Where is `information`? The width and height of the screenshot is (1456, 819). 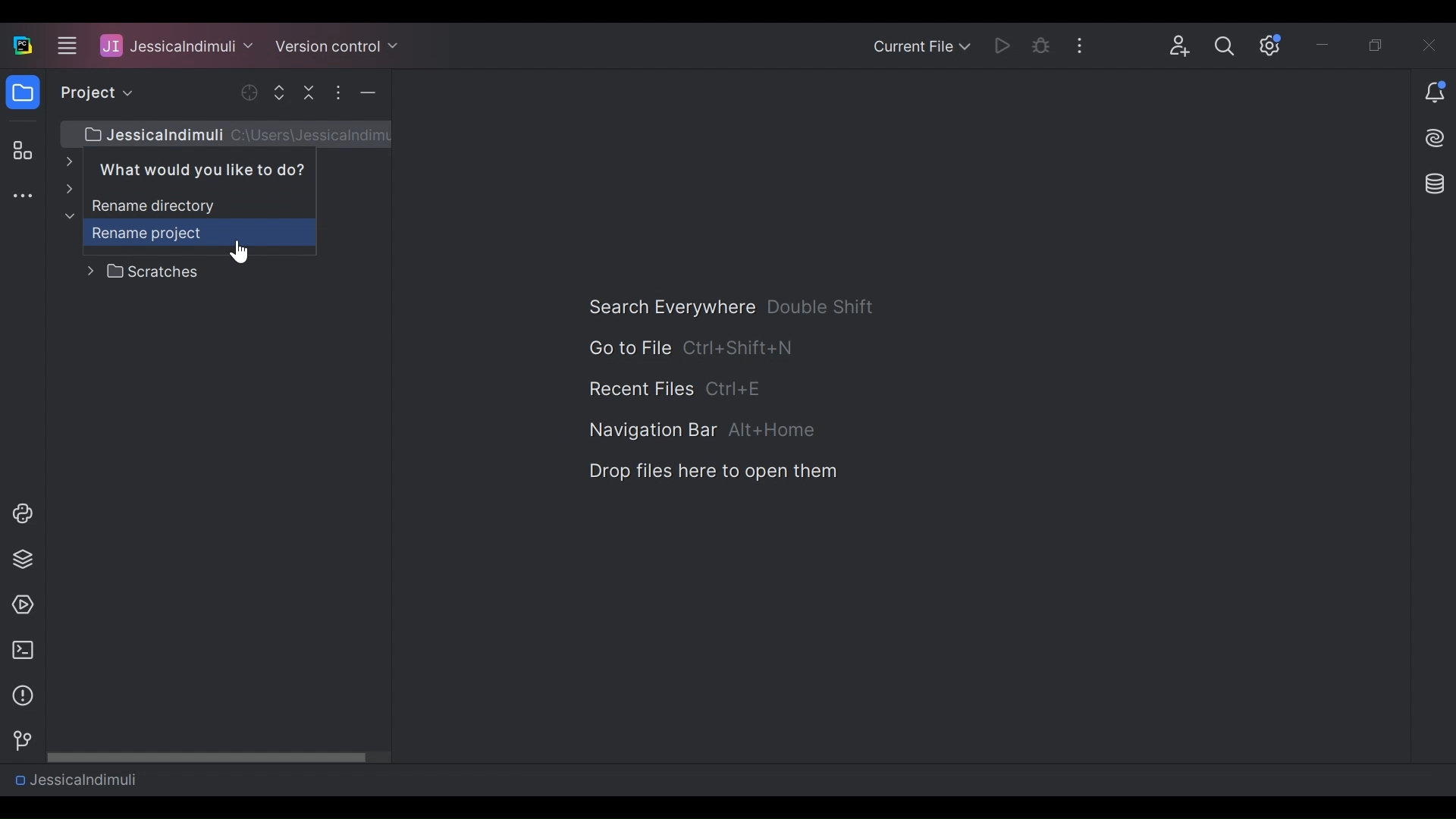
information is located at coordinates (19, 696).